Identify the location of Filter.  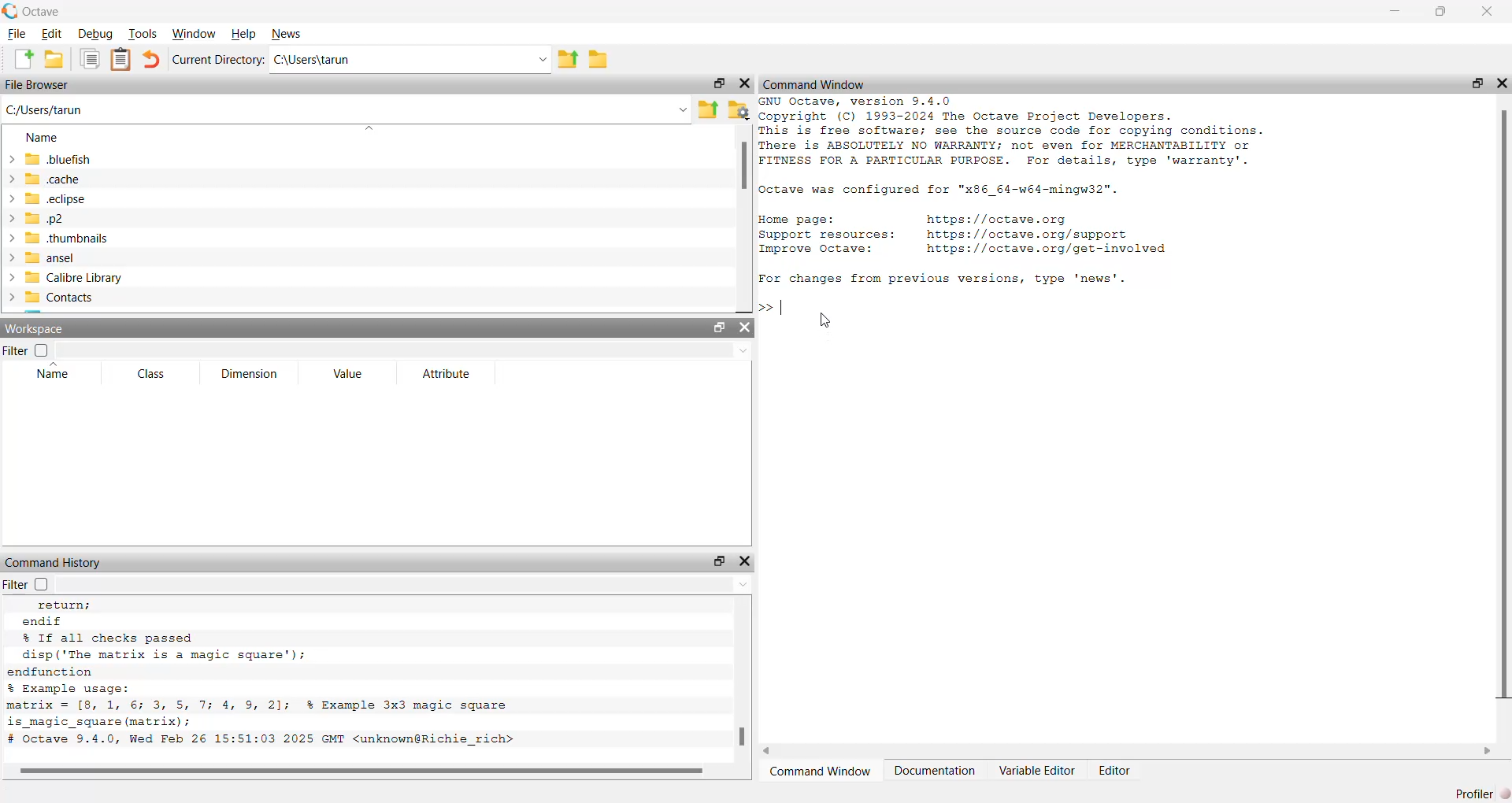
(25, 350).